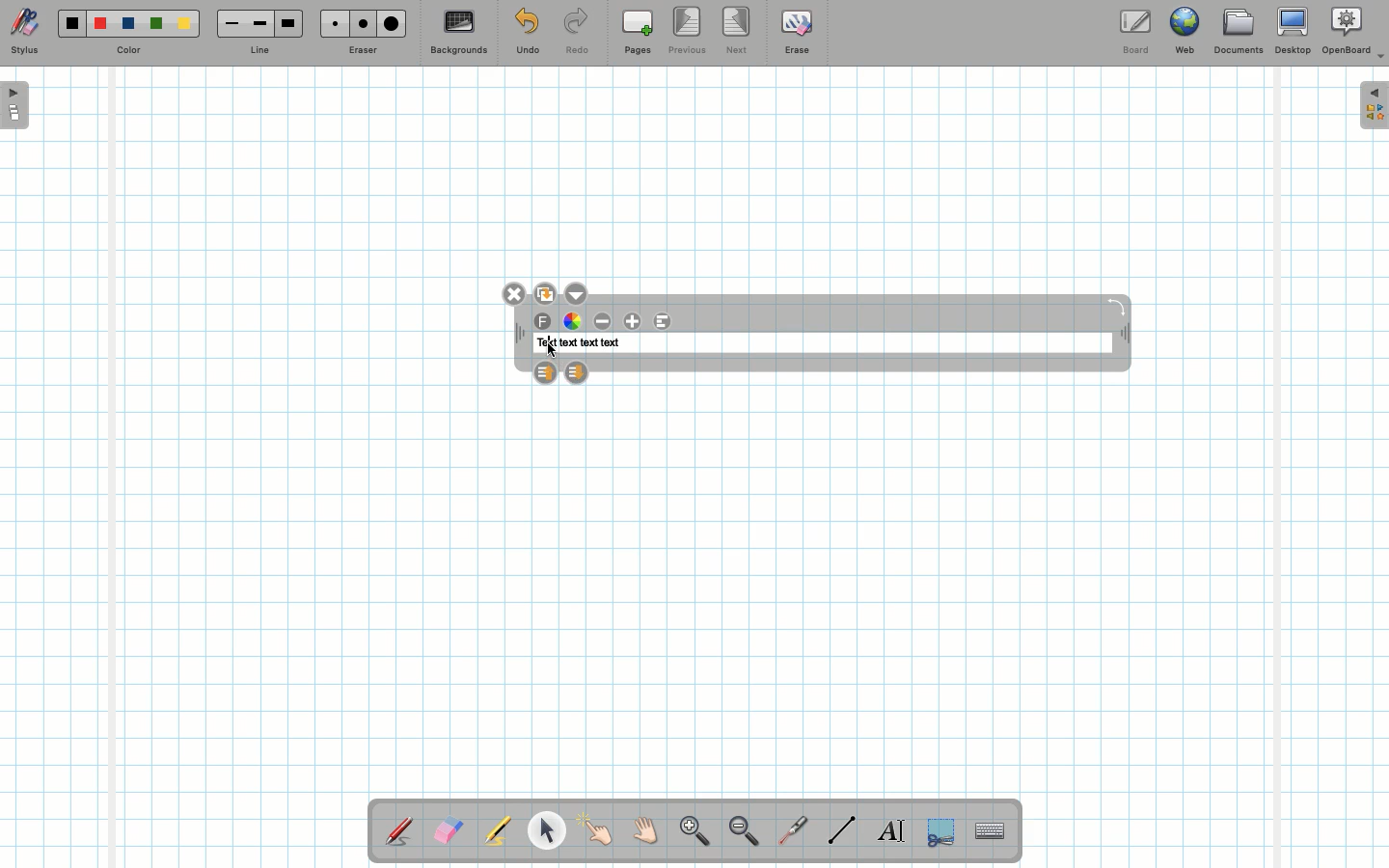  I want to click on text, so click(611, 343).